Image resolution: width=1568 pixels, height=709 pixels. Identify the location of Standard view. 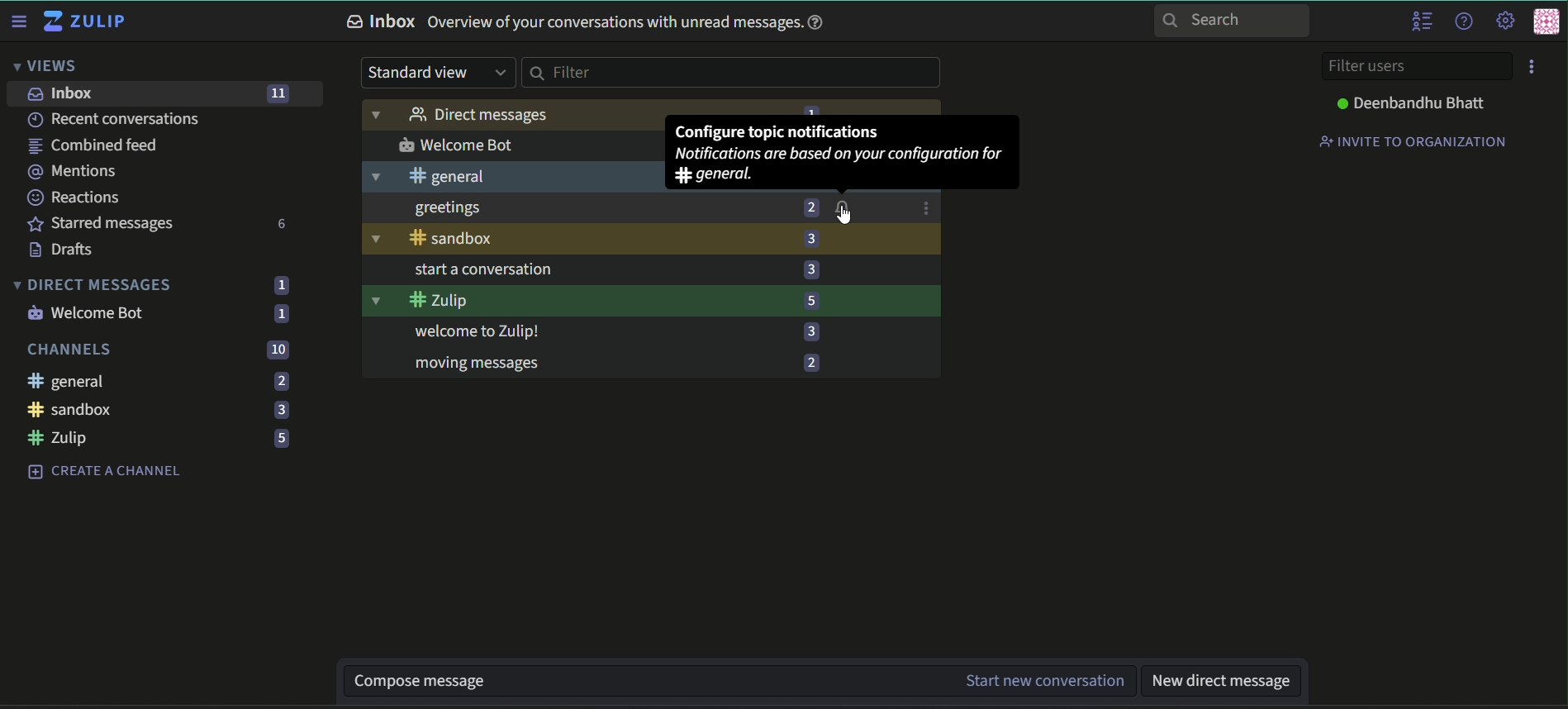
(436, 74).